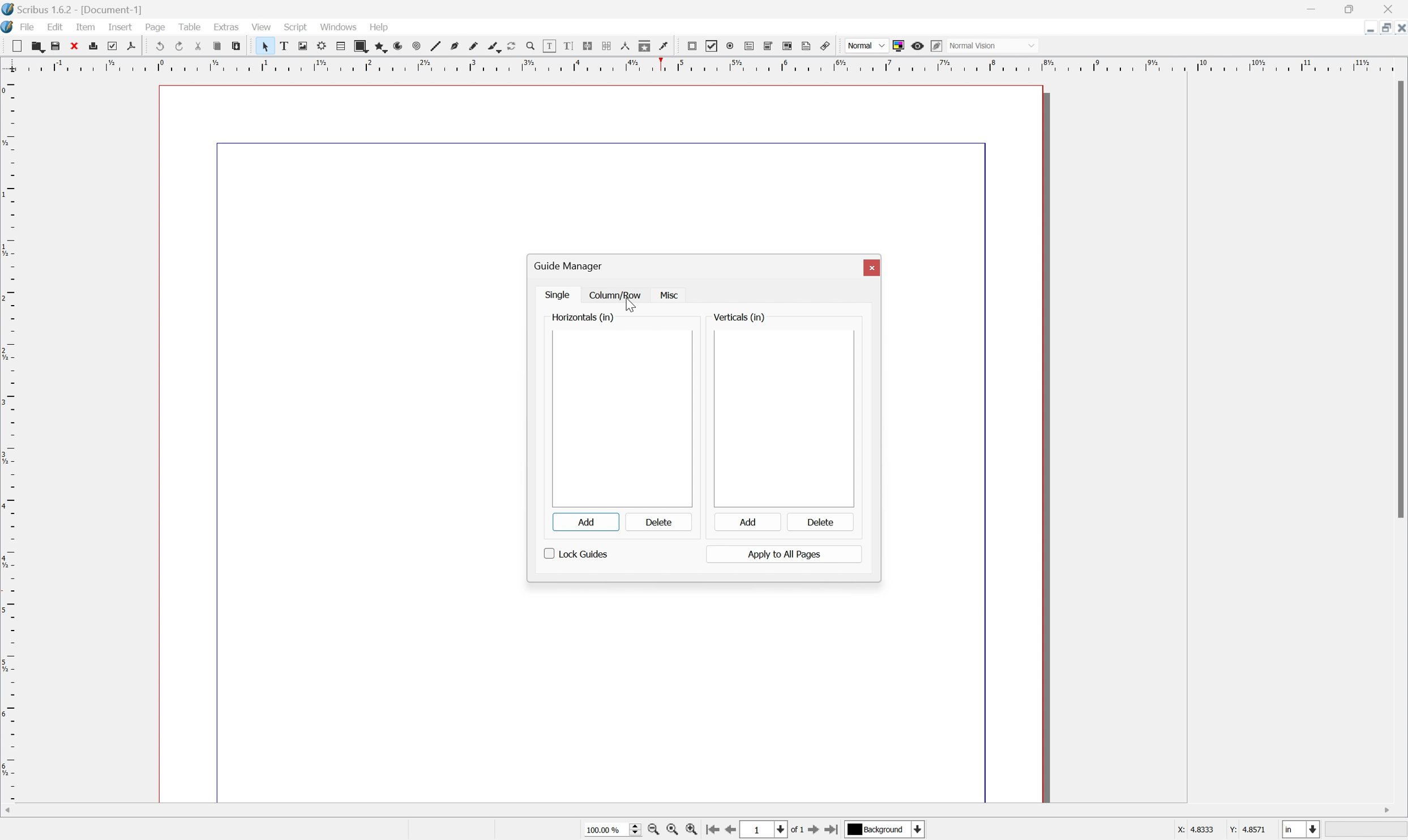 The image size is (1408, 840). I want to click on preview mode, so click(918, 46).